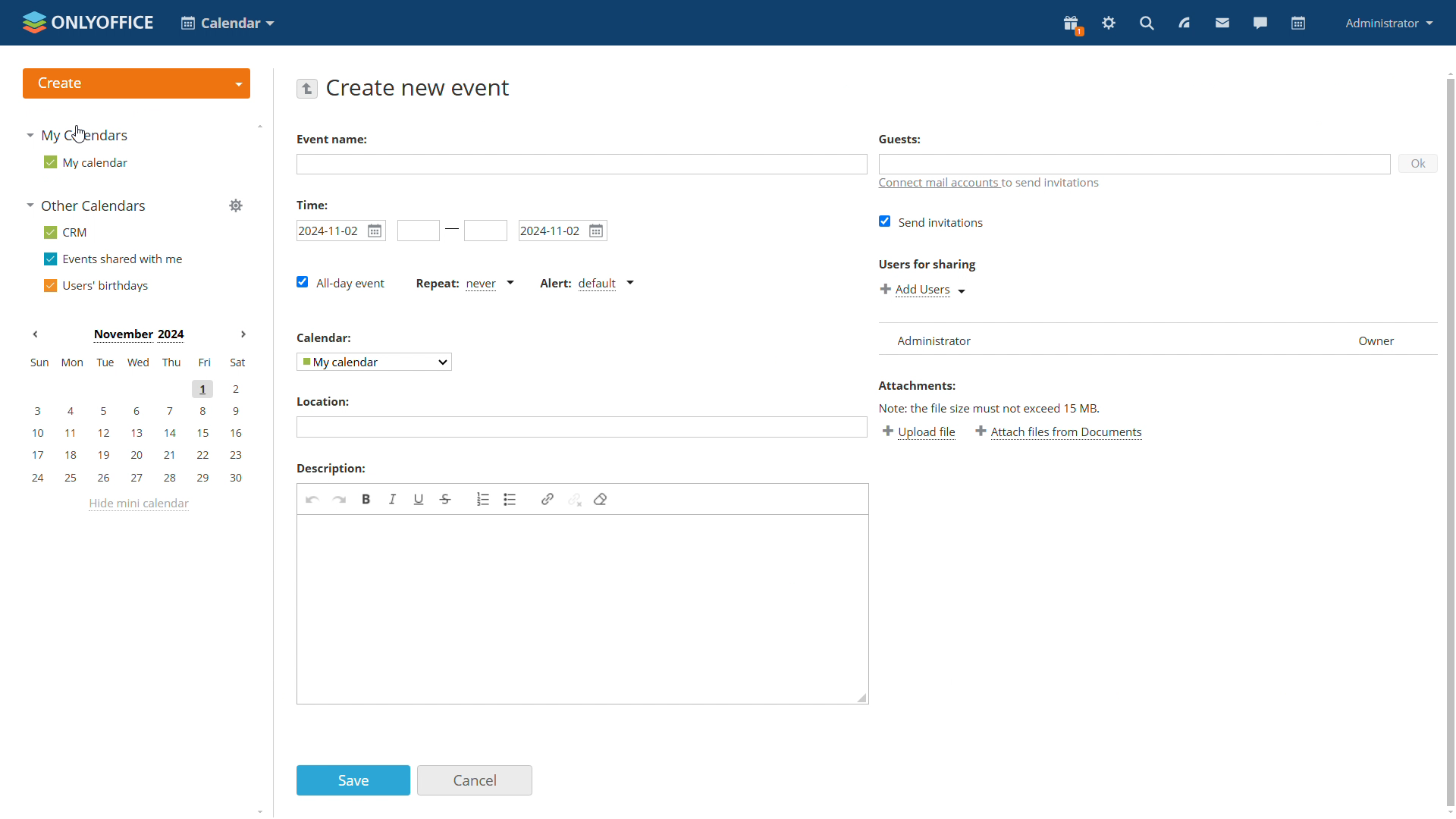  What do you see at coordinates (331, 139) in the screenshot?
I see `Event name` at bounding box center [331, 139].